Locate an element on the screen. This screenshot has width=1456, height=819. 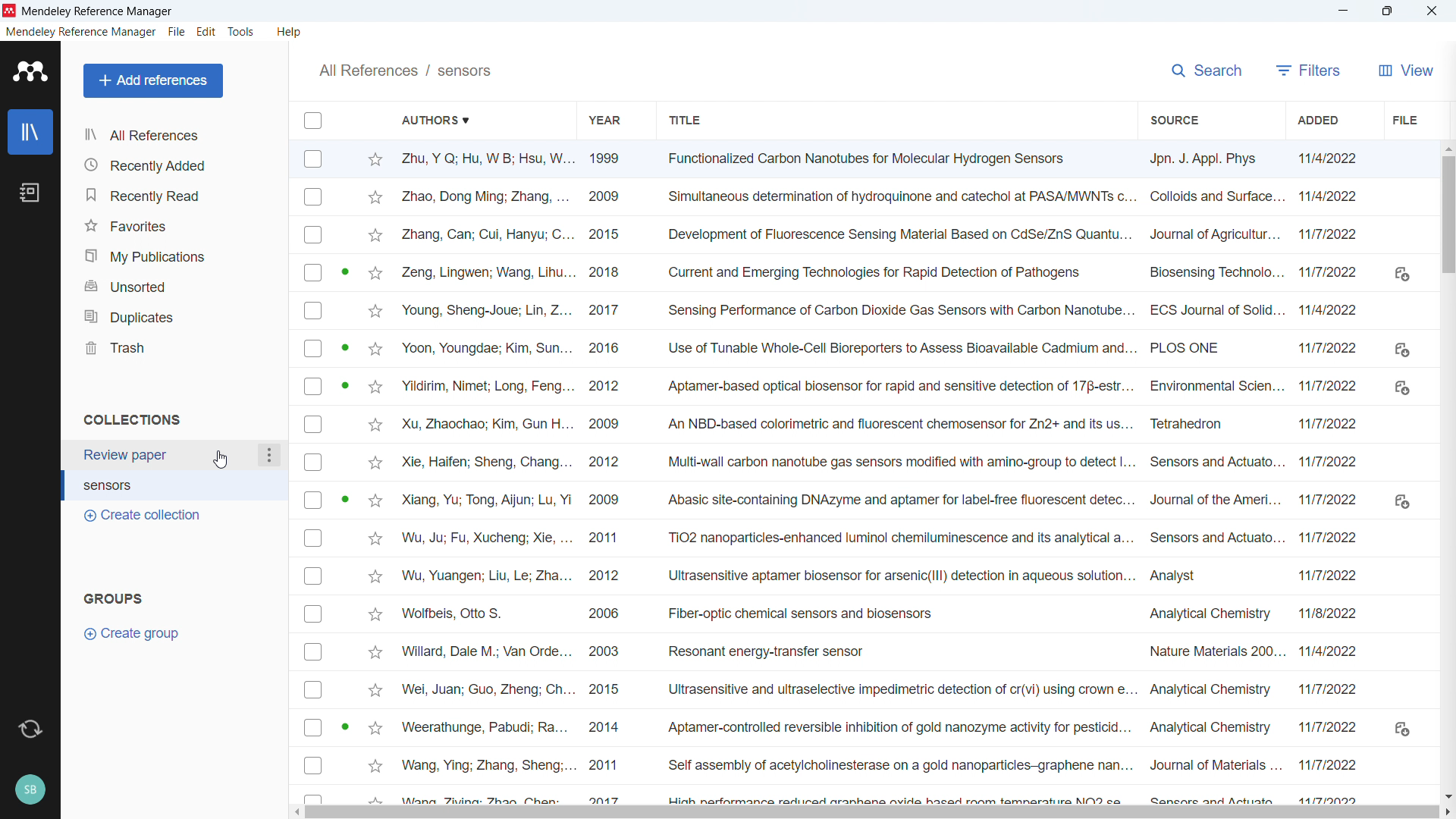
PDF available is located at coordinates (344, 270).